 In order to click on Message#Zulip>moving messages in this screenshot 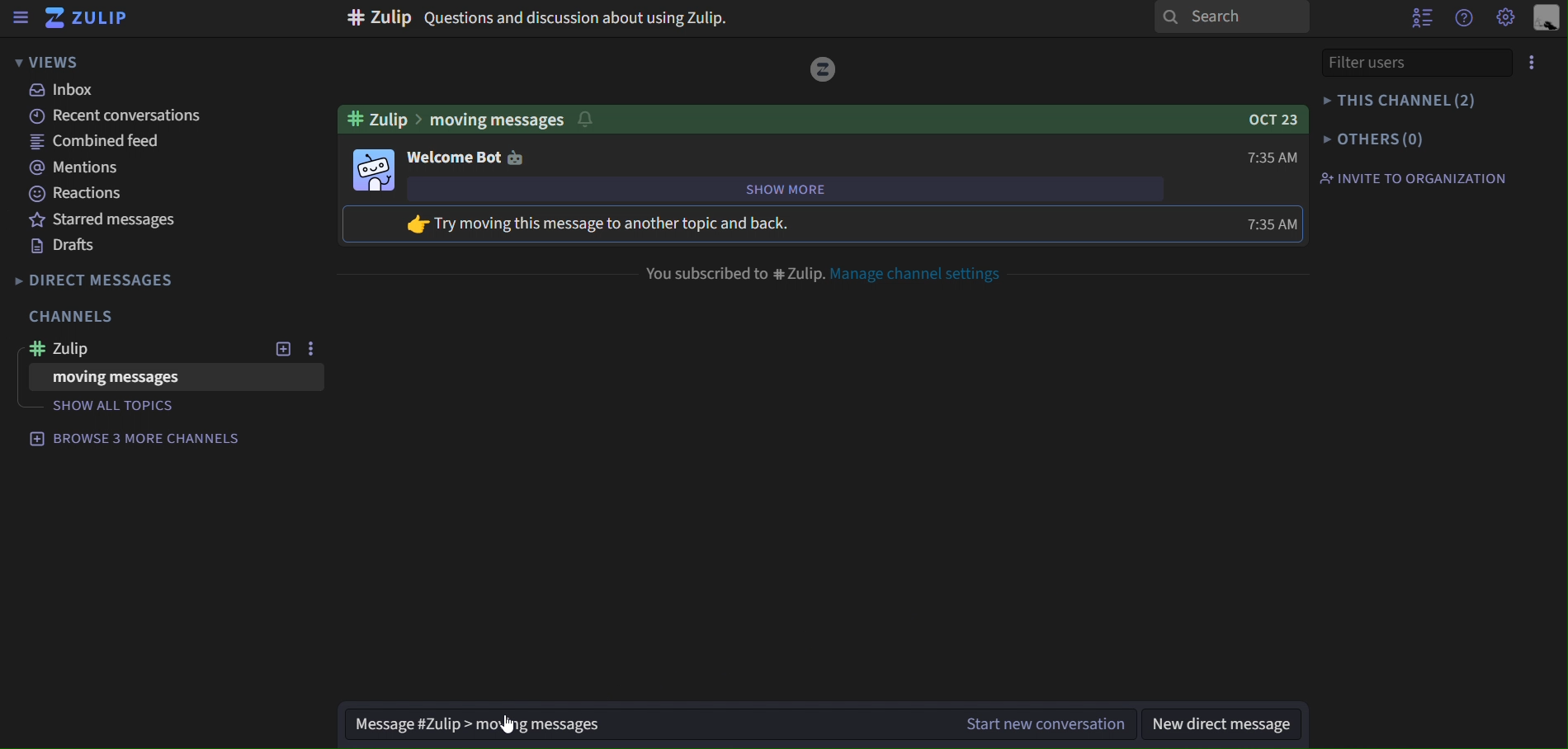, I will do `click(467, 723)`.